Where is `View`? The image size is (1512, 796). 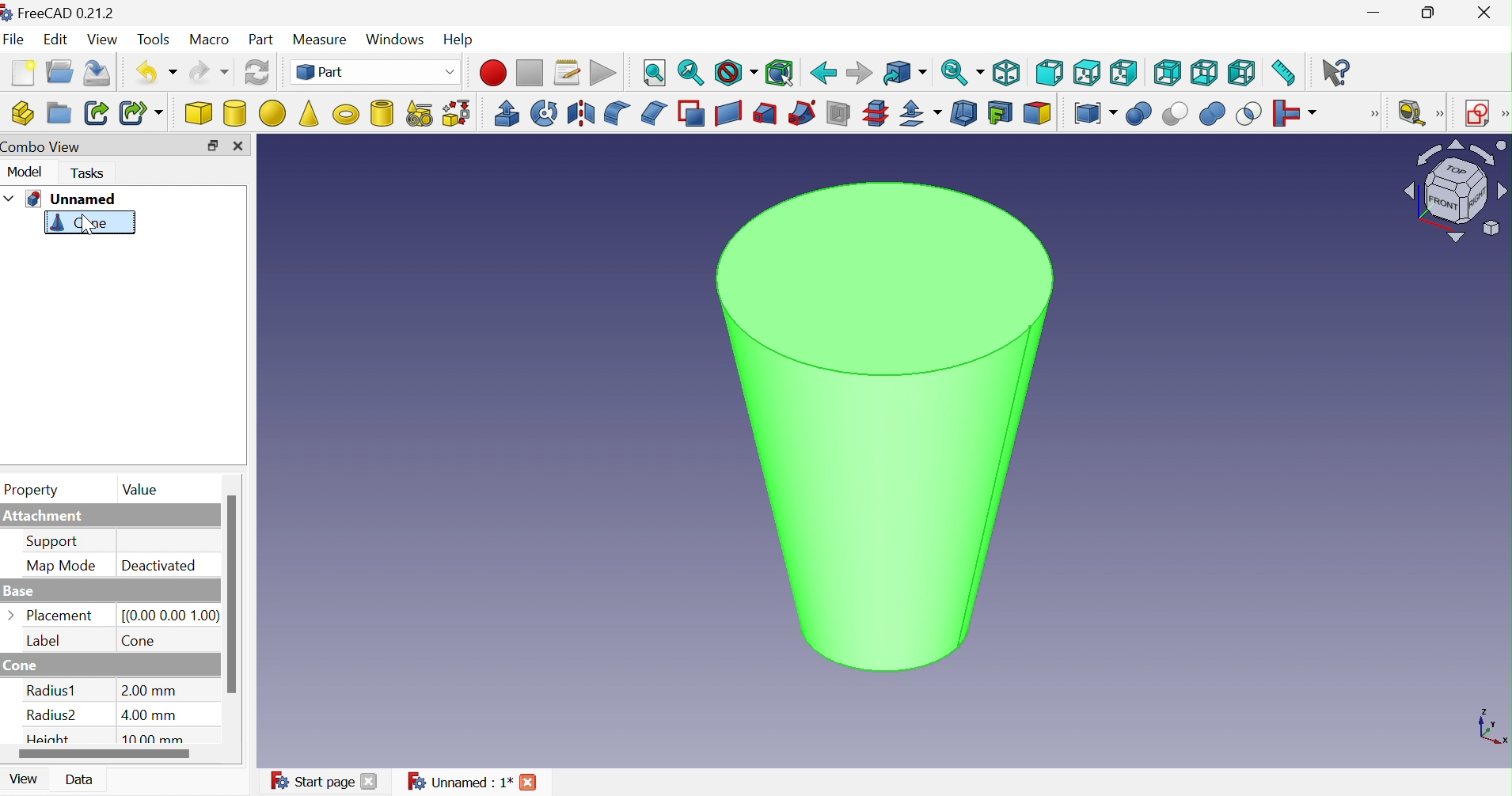 View is located at coordinates (20, 783).